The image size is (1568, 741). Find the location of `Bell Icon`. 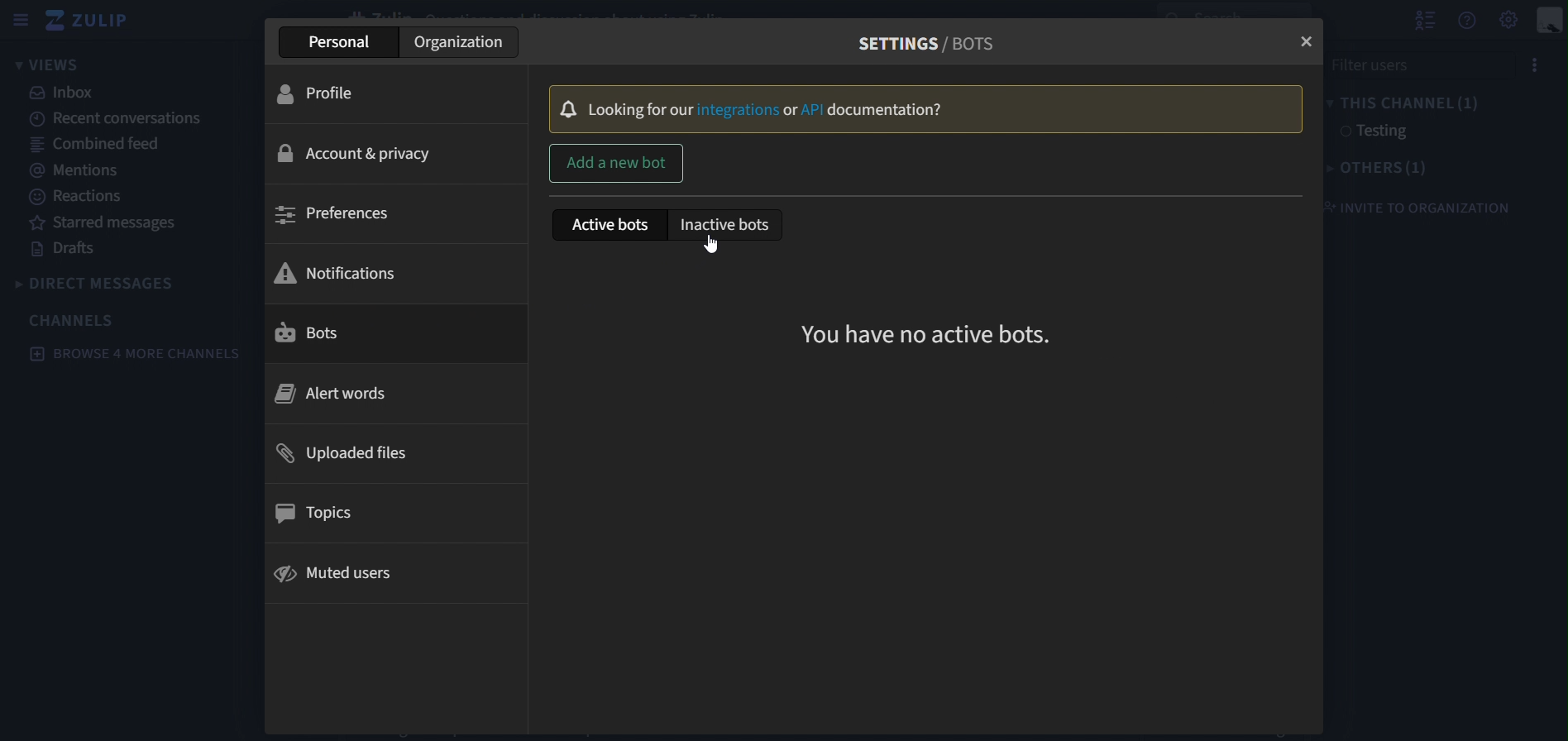

Bell Icon is located at coordinates (566, 108).